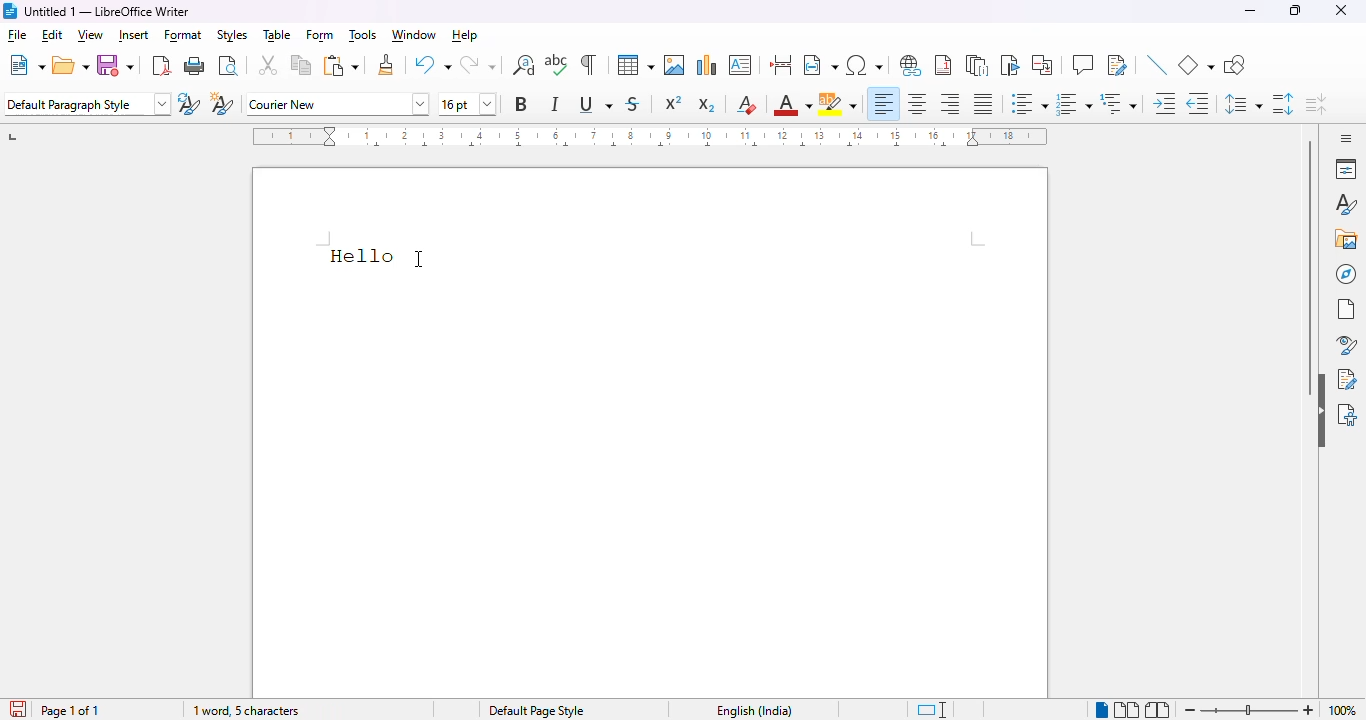  Describe the element at coordinates (91, 36) in the screenshot. I see `view` at that location.